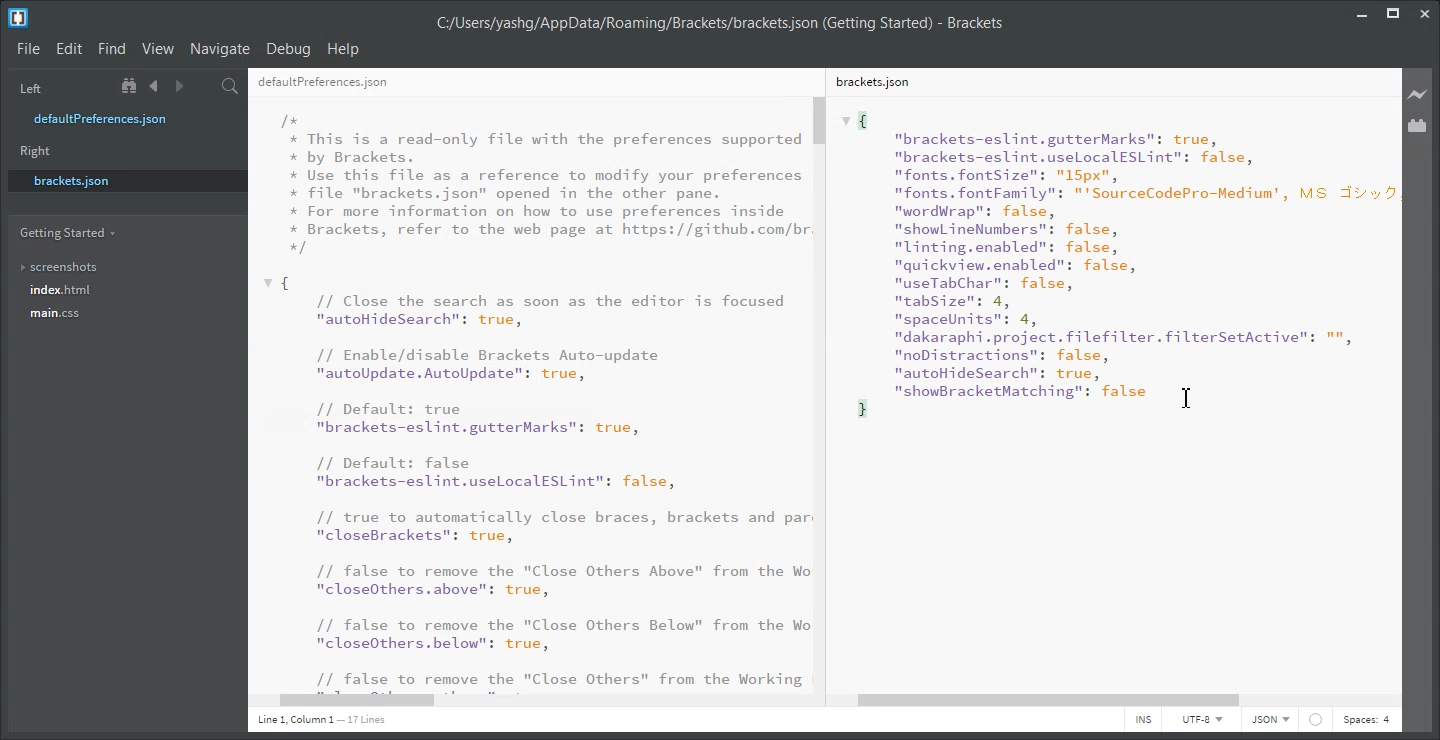  What do you see at coordinates (154, 86) in the screenshot?
I see `Navigate Backward` at bounding box center [154, 86].